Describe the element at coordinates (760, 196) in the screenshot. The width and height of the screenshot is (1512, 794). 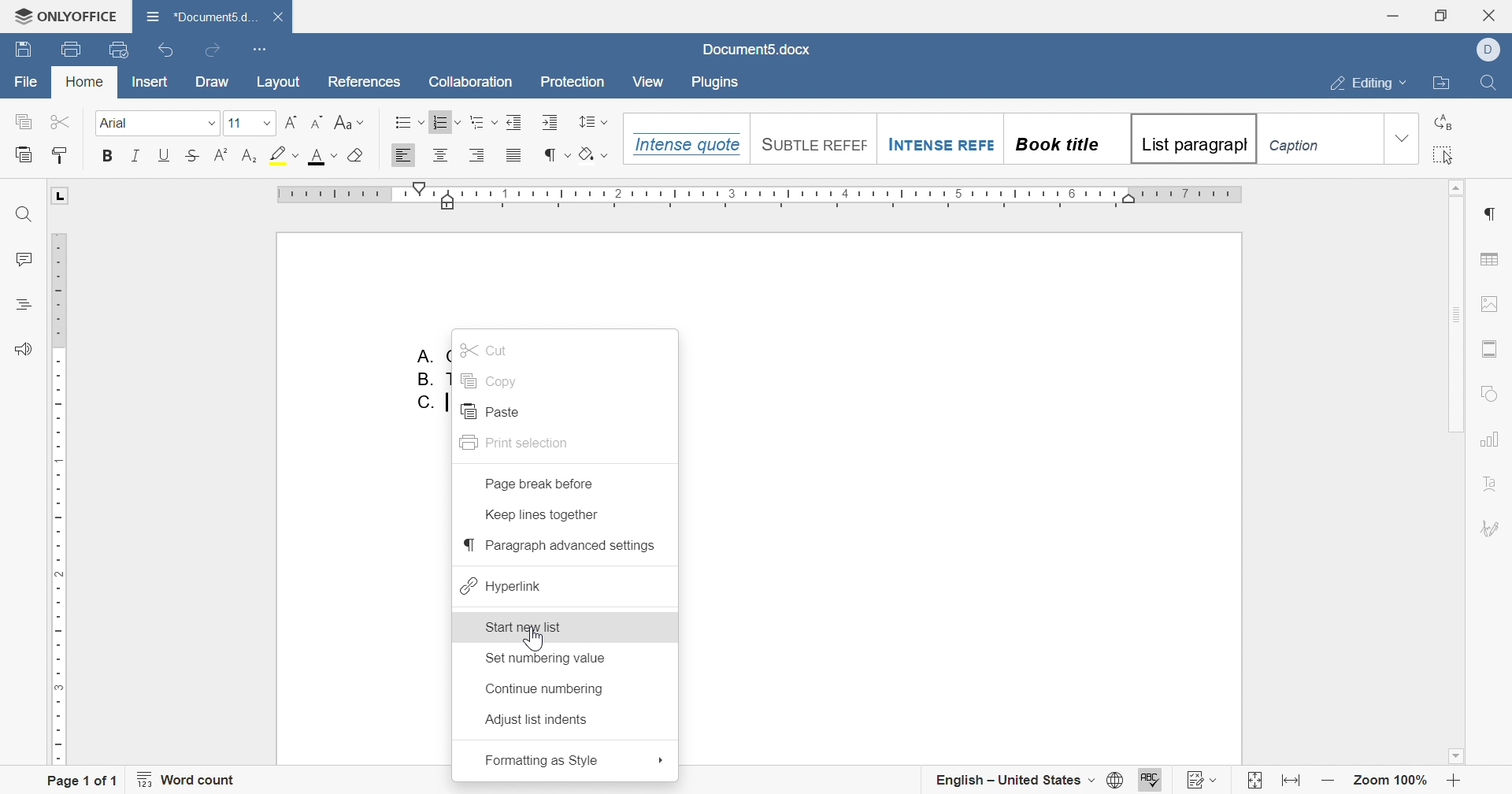
I see `ruler` at that location.